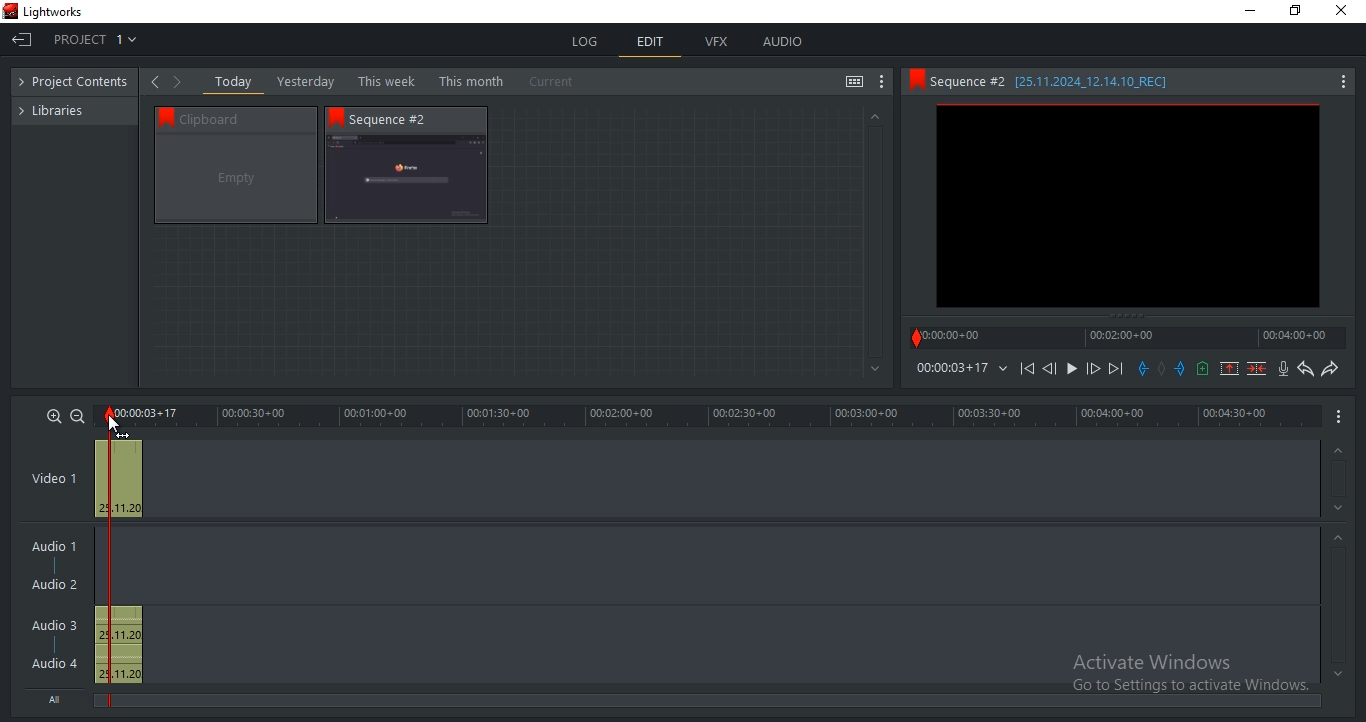  What do you see at coordinates (1341, 540) in the screenshot?
I see `Greyed out up arrow` at bounding box center [1341, 540].